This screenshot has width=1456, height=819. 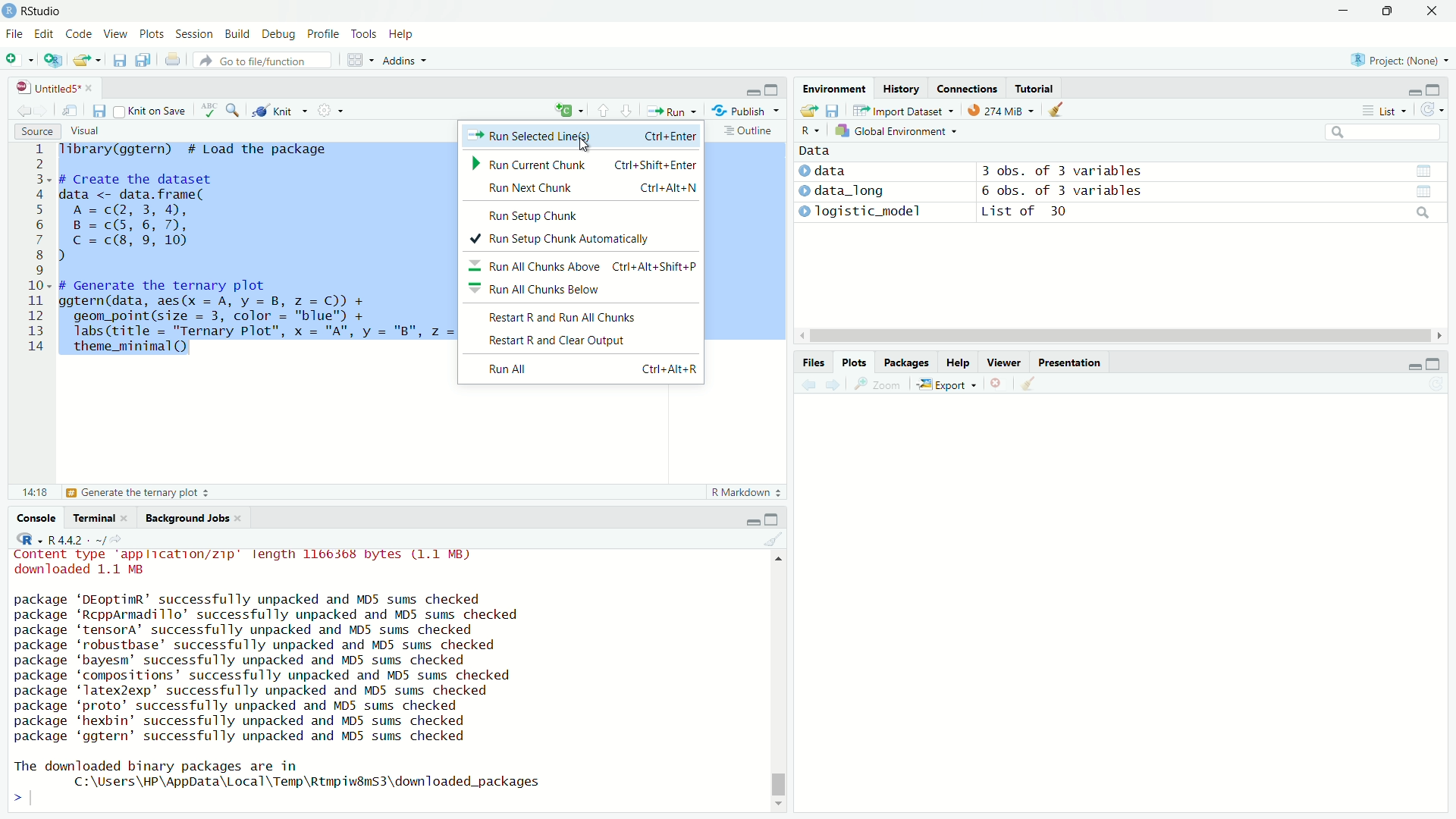 I want to click on » Publish, so click(x=740, y=110).